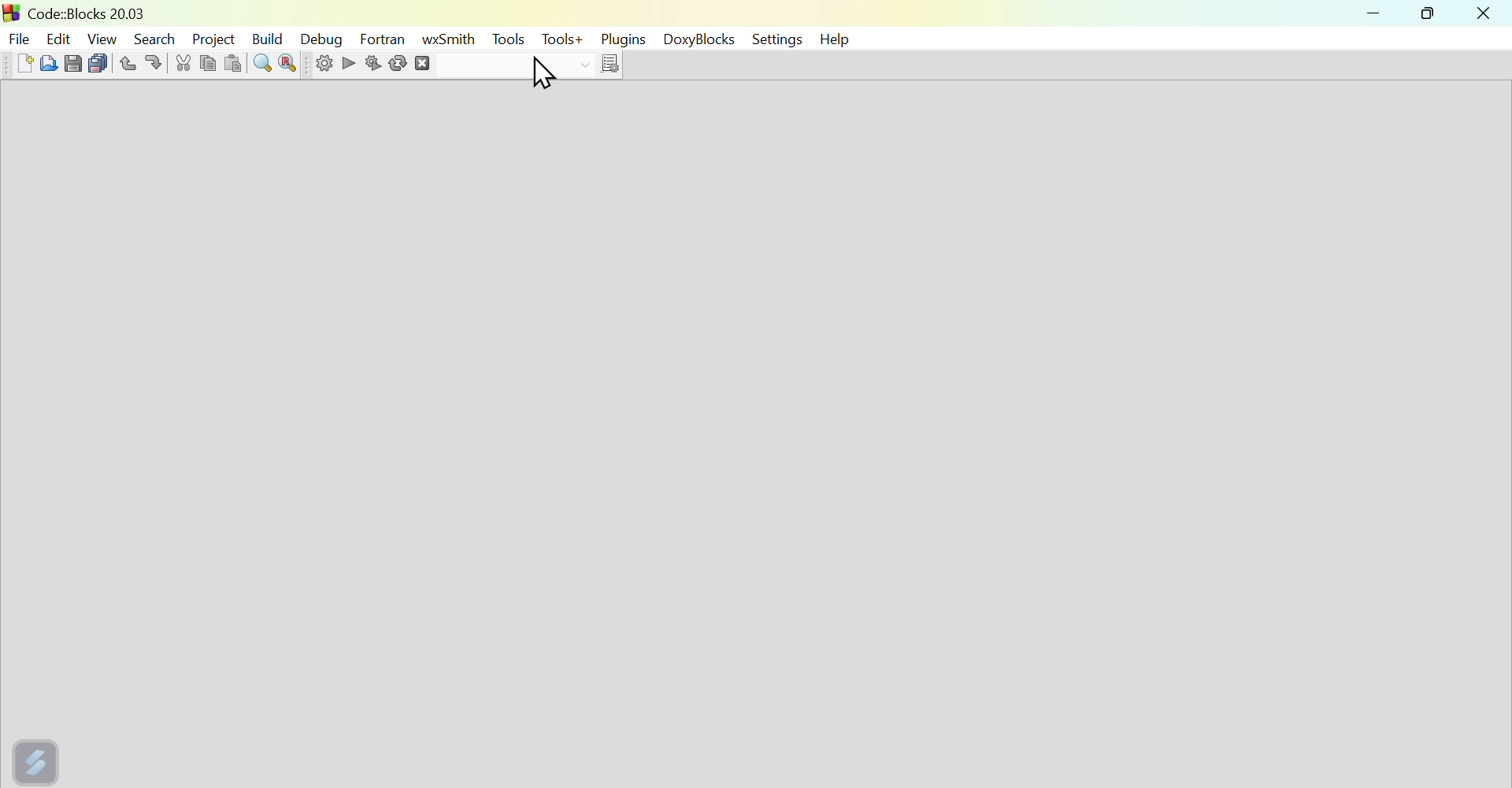 This screenshot has width=1512, height=788. I want to click on Settings, so click(774, 39).